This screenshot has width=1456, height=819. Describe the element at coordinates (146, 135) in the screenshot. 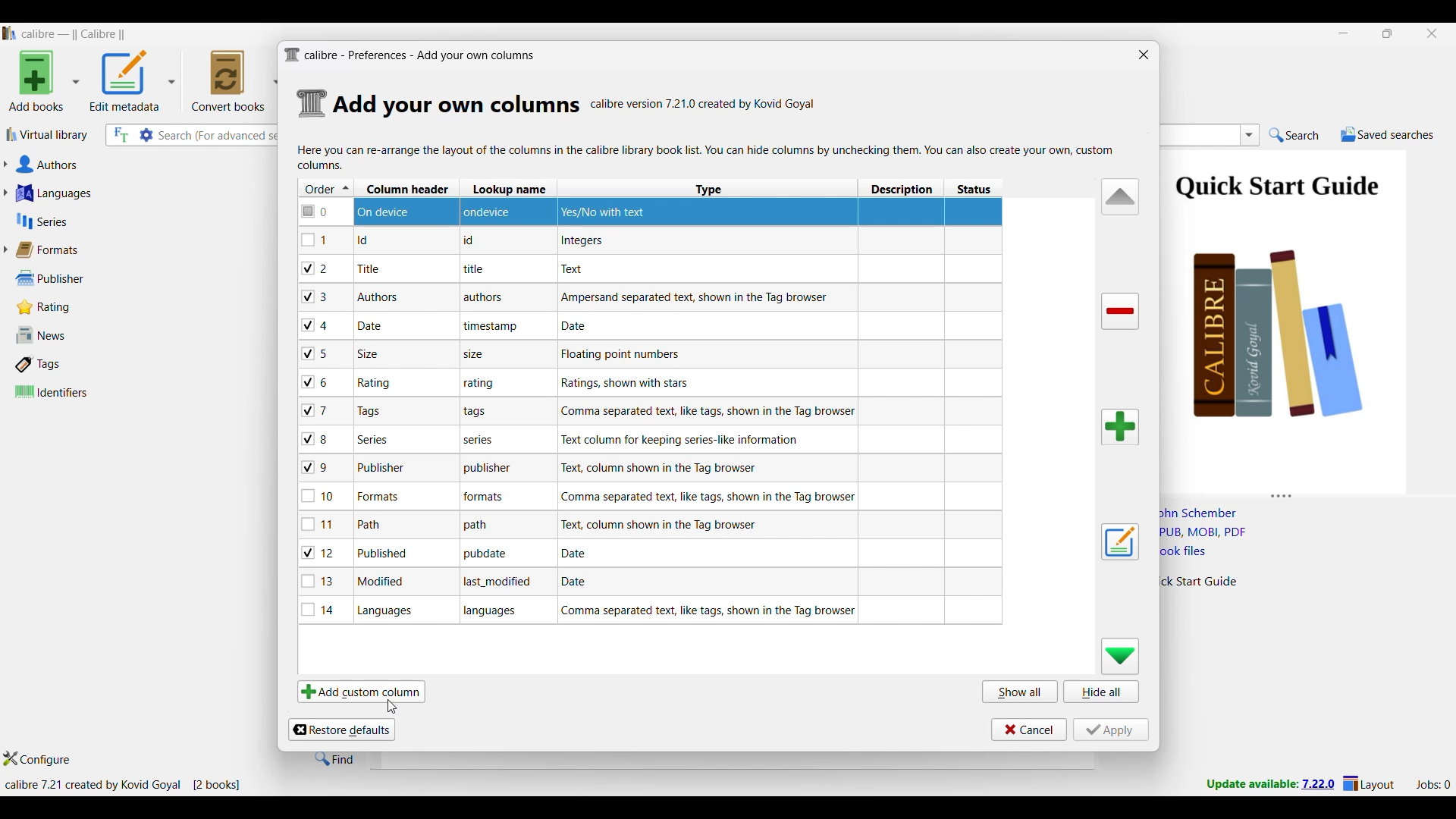

I see `Advanced search` at that location.